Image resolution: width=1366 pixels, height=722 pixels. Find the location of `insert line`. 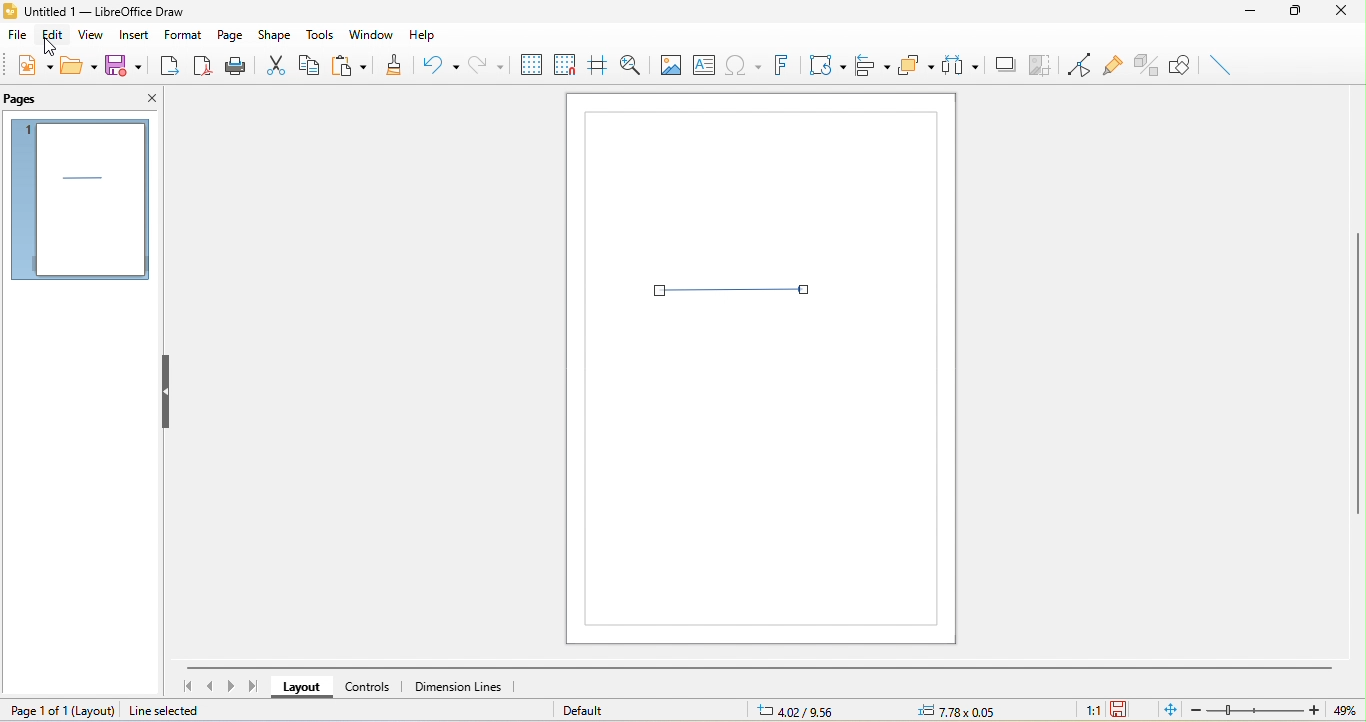

insert line is located at coordinates (1221, 65).